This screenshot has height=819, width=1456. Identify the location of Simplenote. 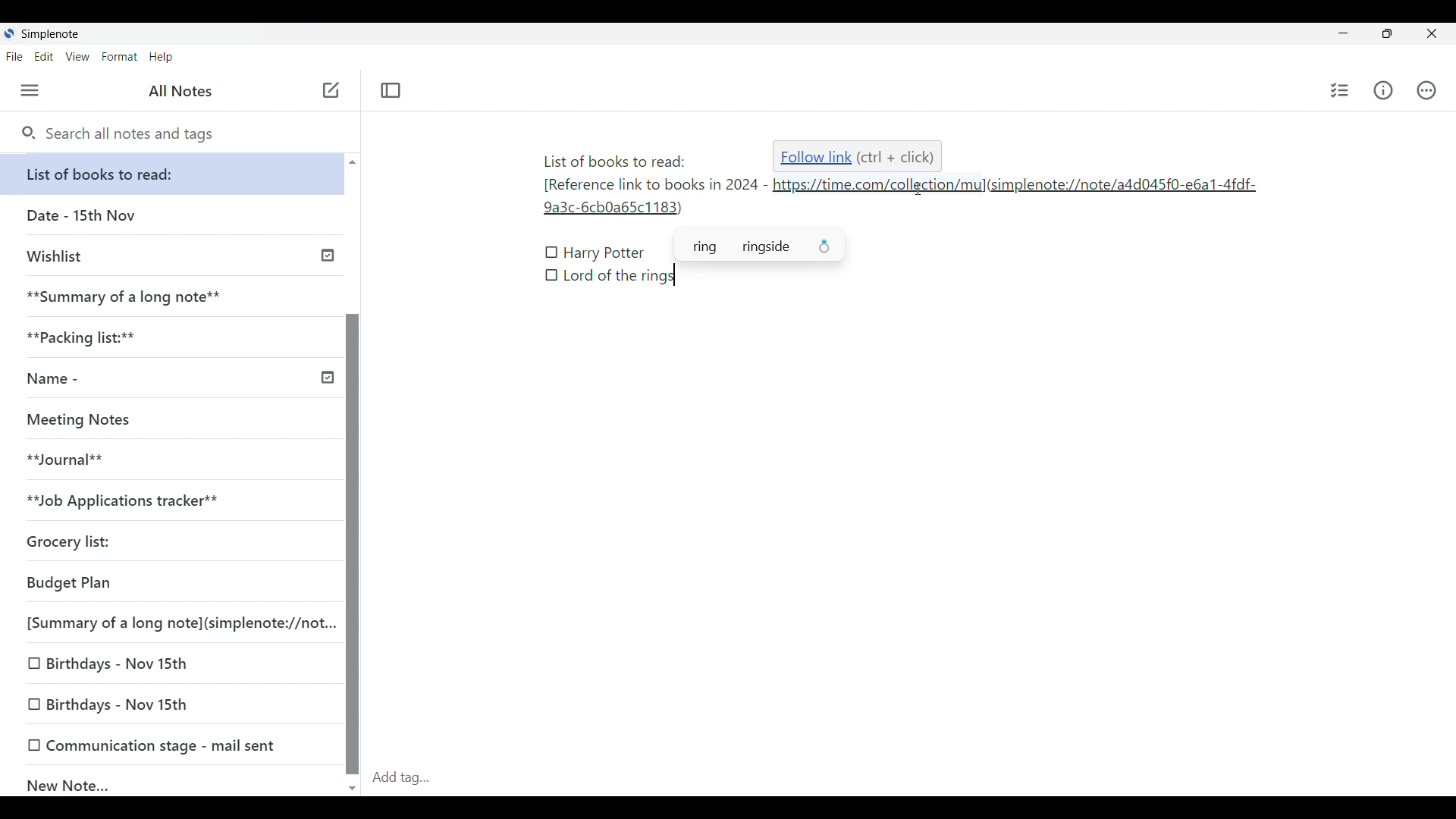
(49, 34).